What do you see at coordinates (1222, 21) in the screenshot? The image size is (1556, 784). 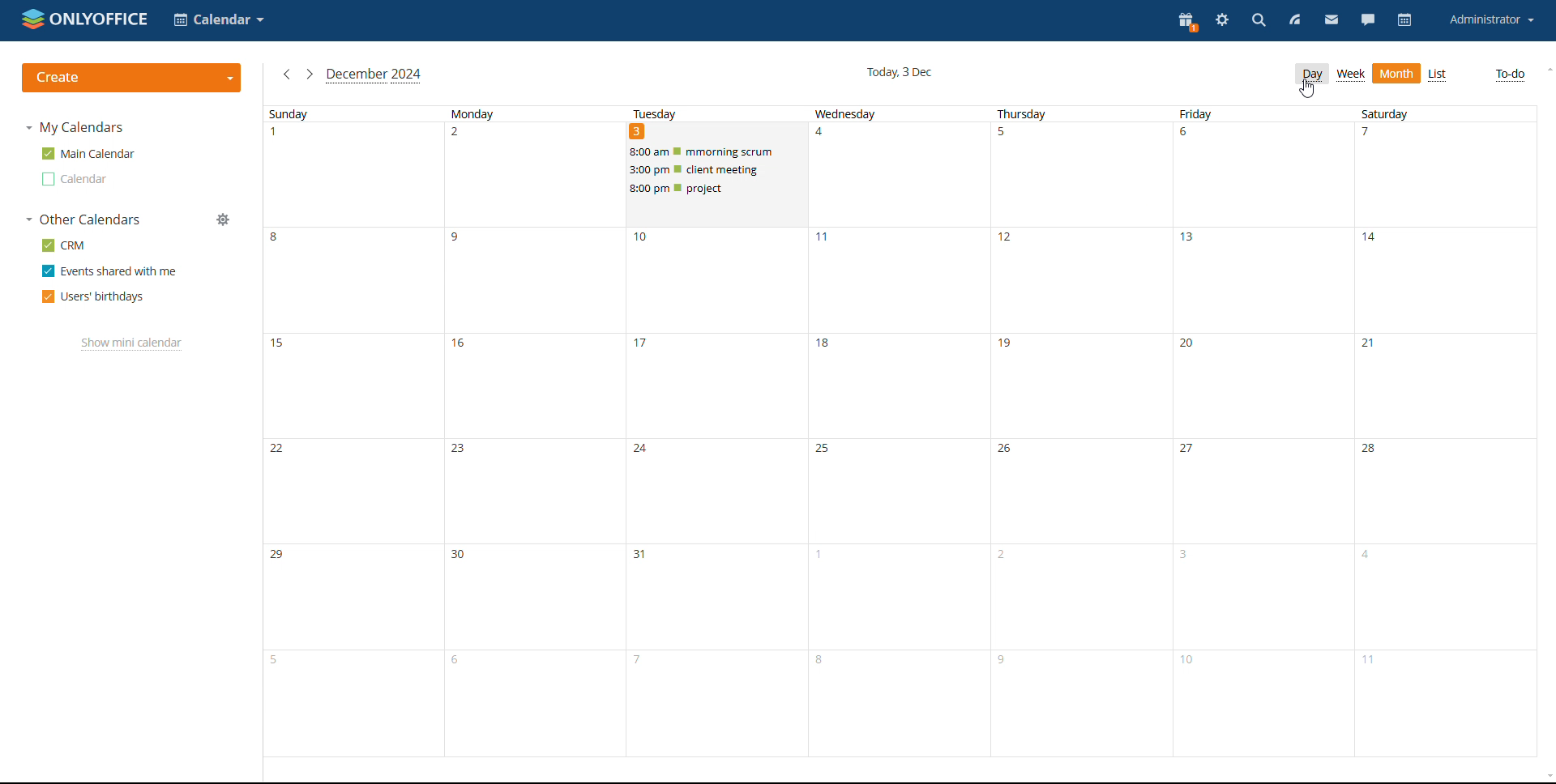 I see `settings` at bounding box center [1222, 21].